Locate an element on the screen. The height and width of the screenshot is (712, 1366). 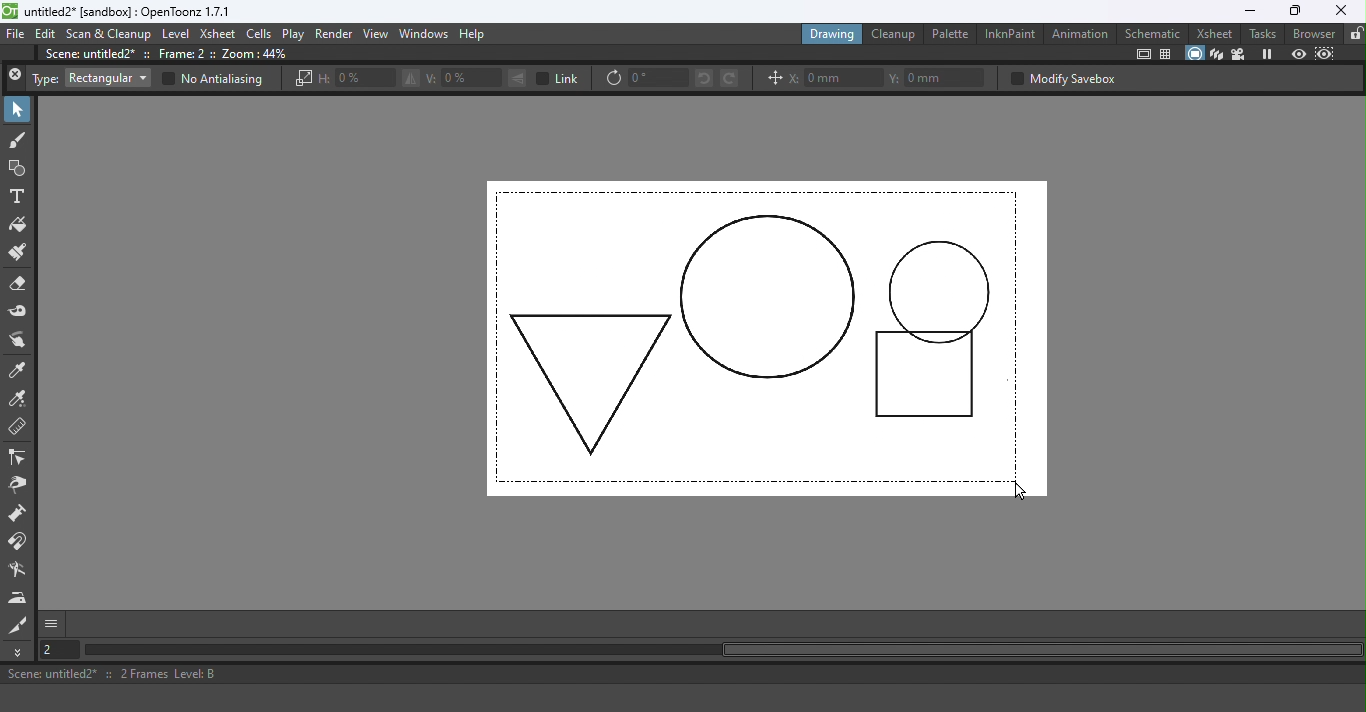
Animation is located at coordinates (1081, 33).